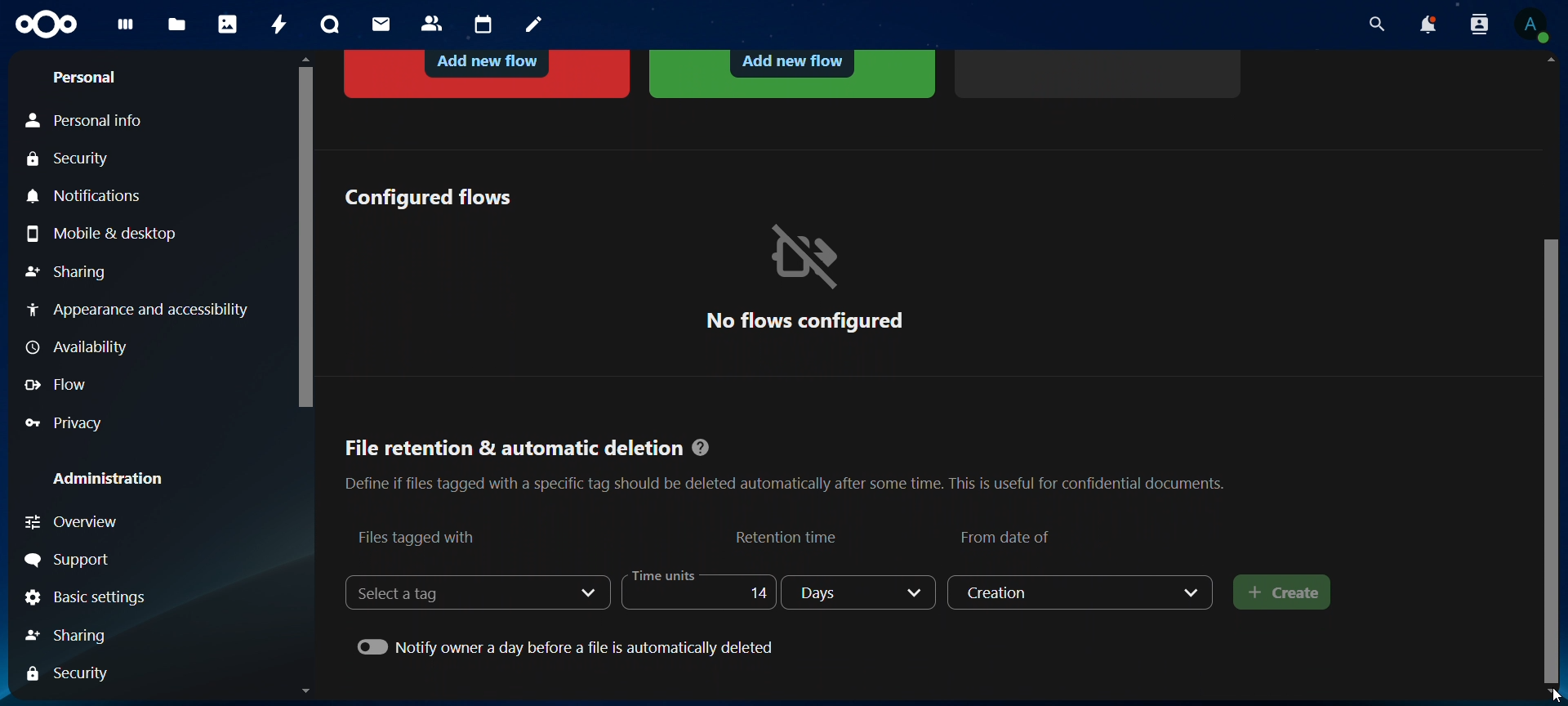  I want to click on files tagged with, so click(418, 537).